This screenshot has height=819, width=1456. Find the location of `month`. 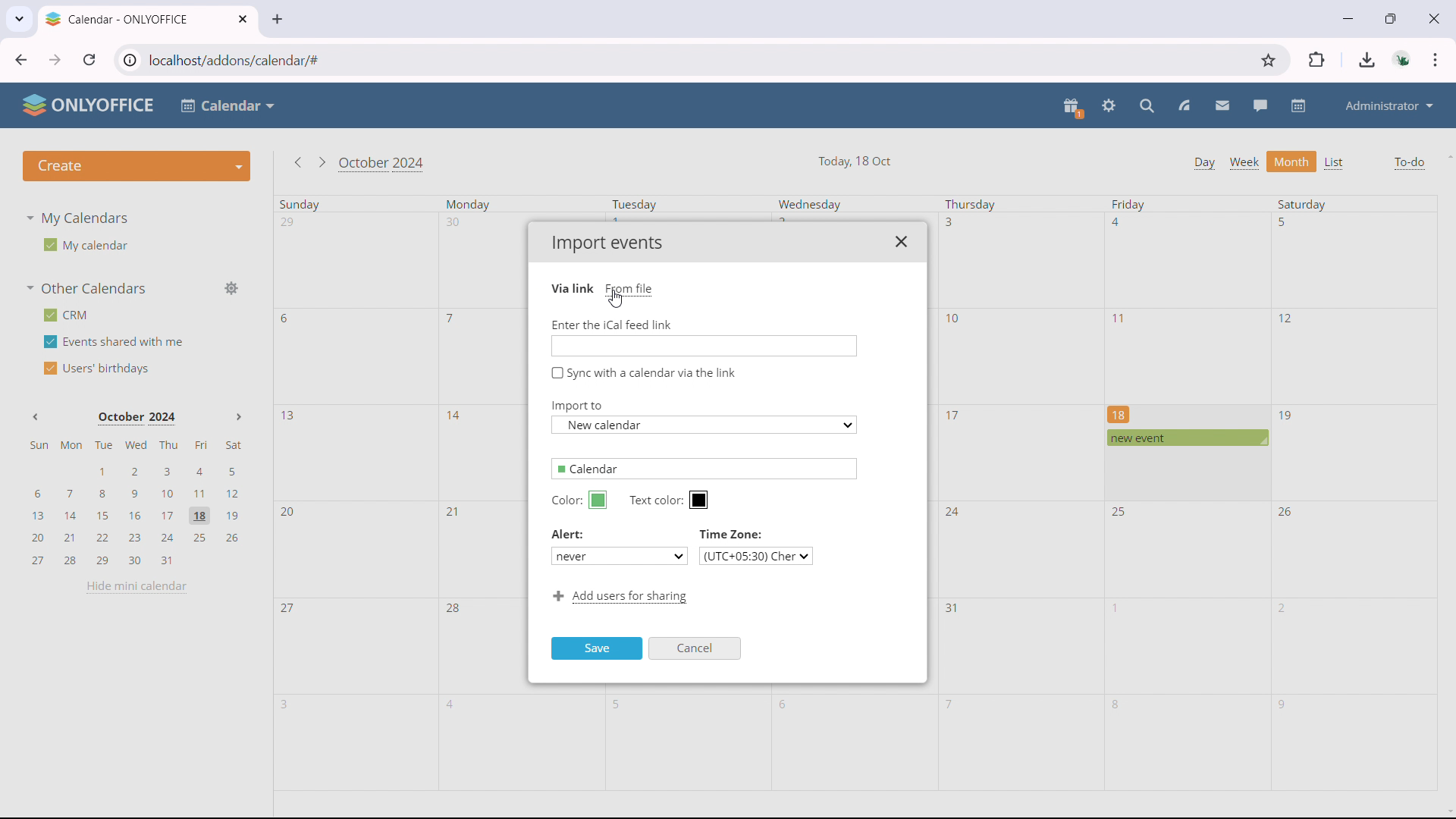

month is located at coordinates (1292, 162).